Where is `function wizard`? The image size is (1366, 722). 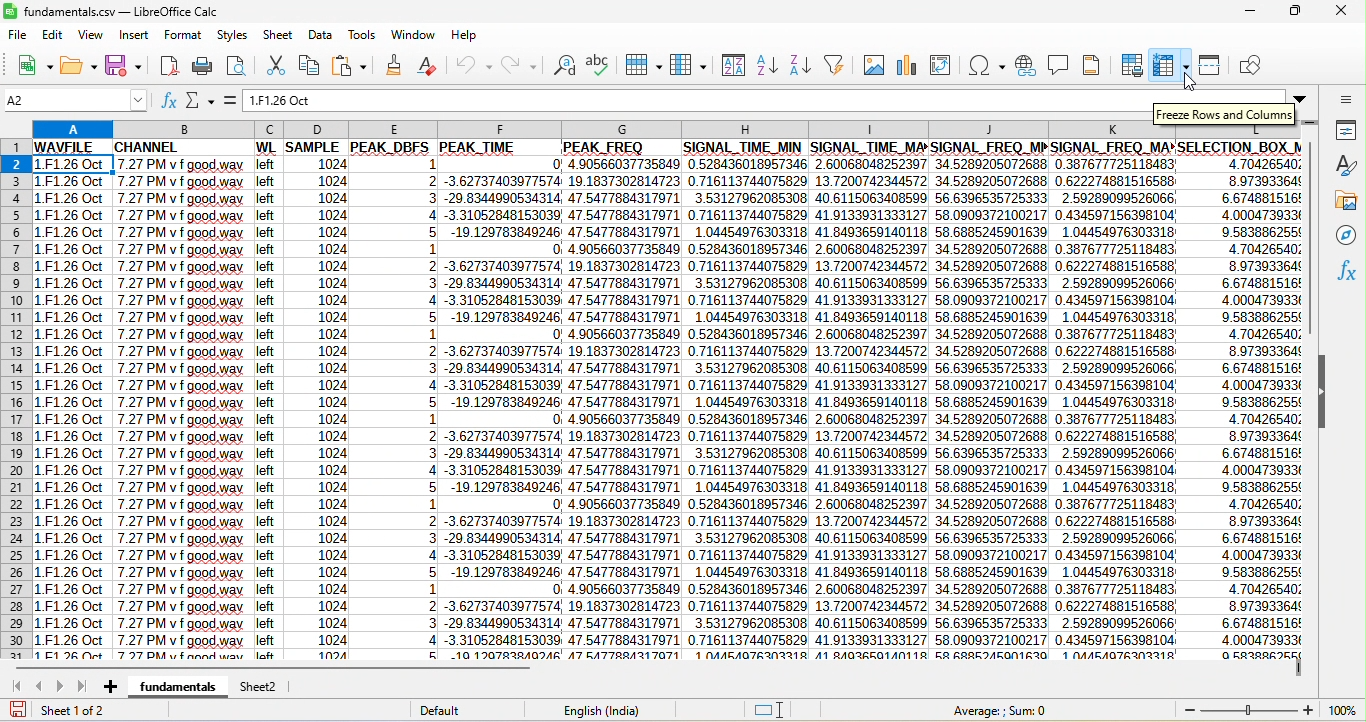
function wizard is located at coordinates (170, 102).